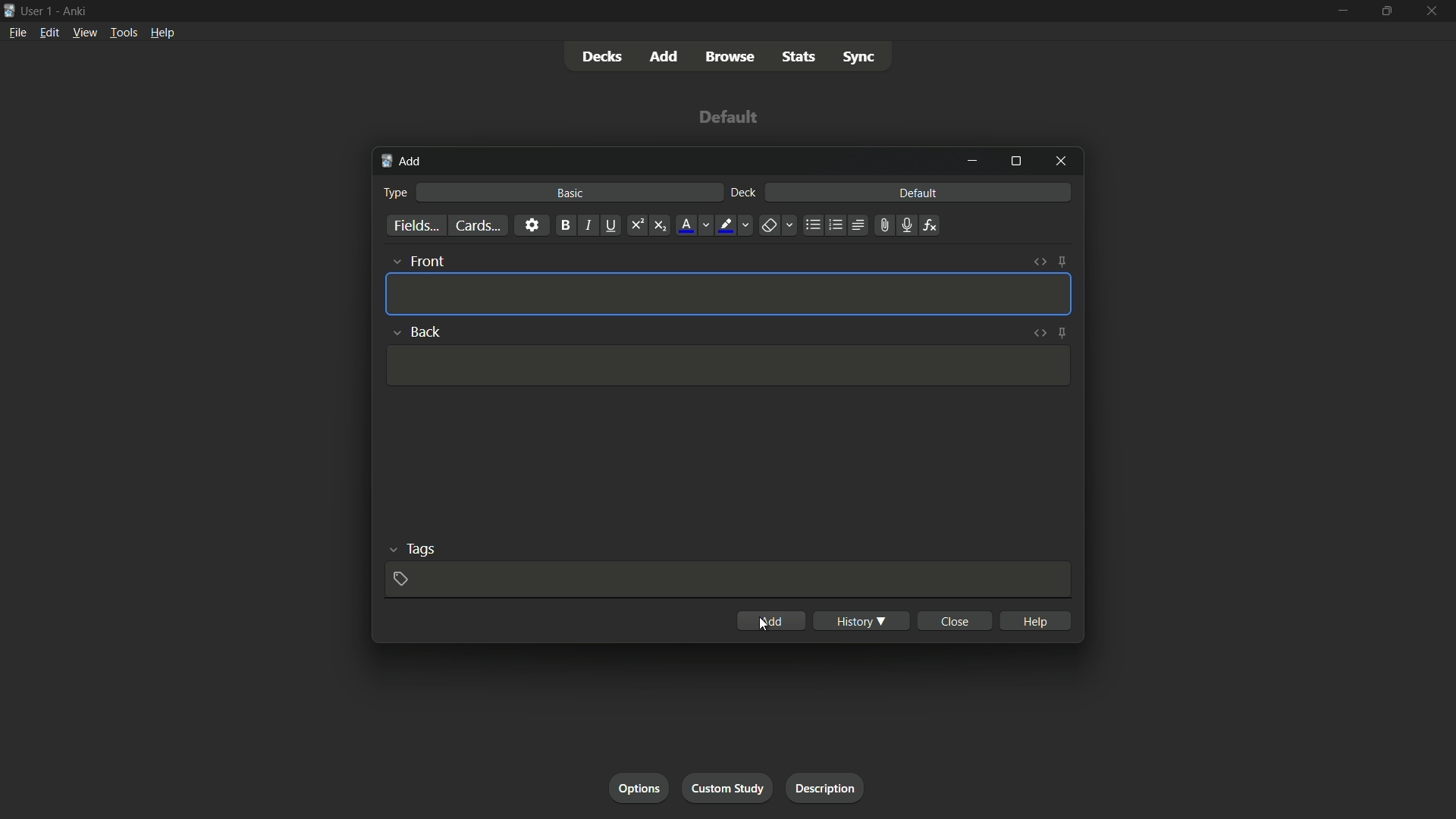  I want to click on cursor, so click(764, 623).